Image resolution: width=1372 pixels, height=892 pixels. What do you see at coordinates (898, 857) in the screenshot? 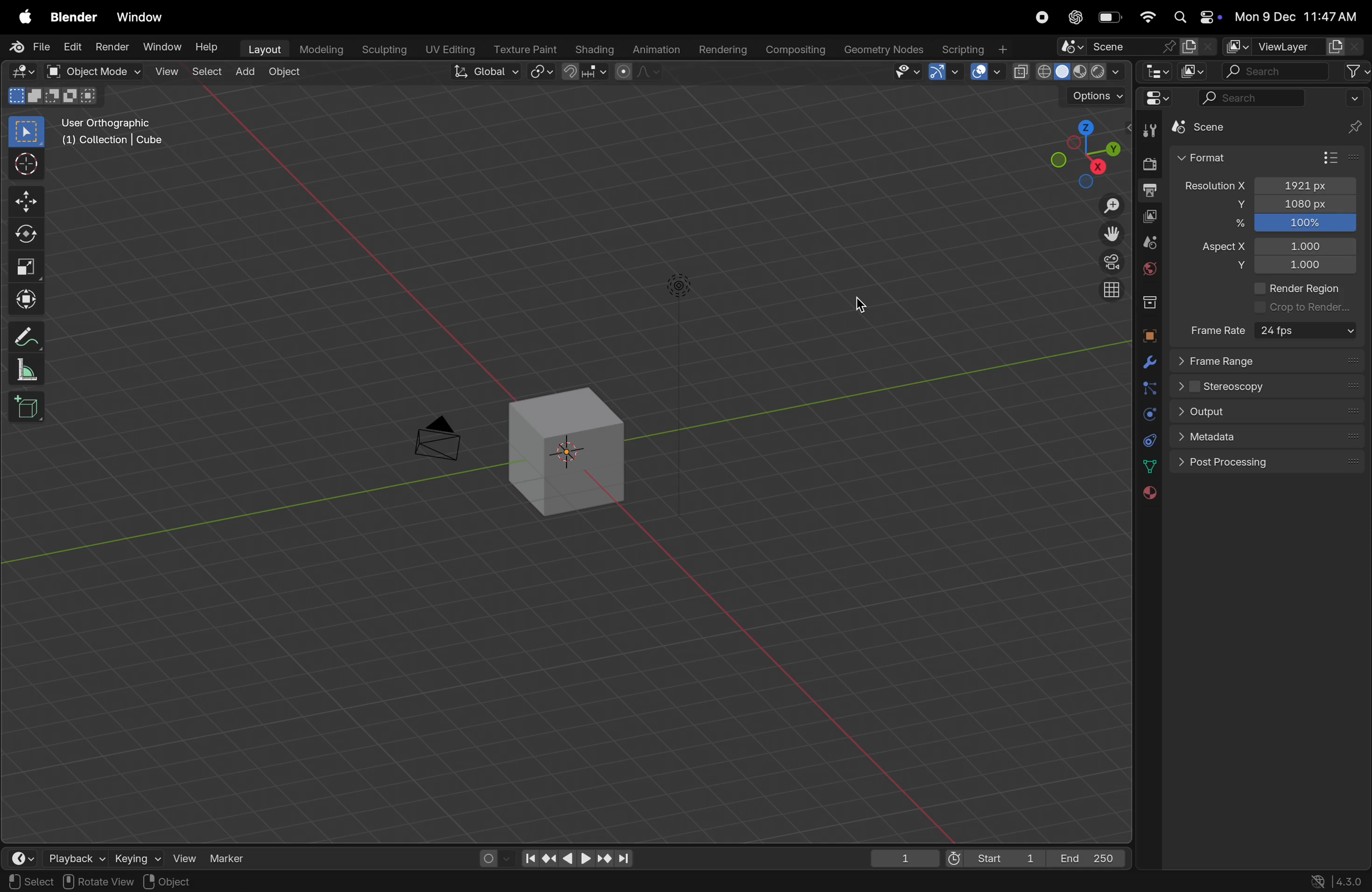
I see `1` at bounding box center [898, 857].